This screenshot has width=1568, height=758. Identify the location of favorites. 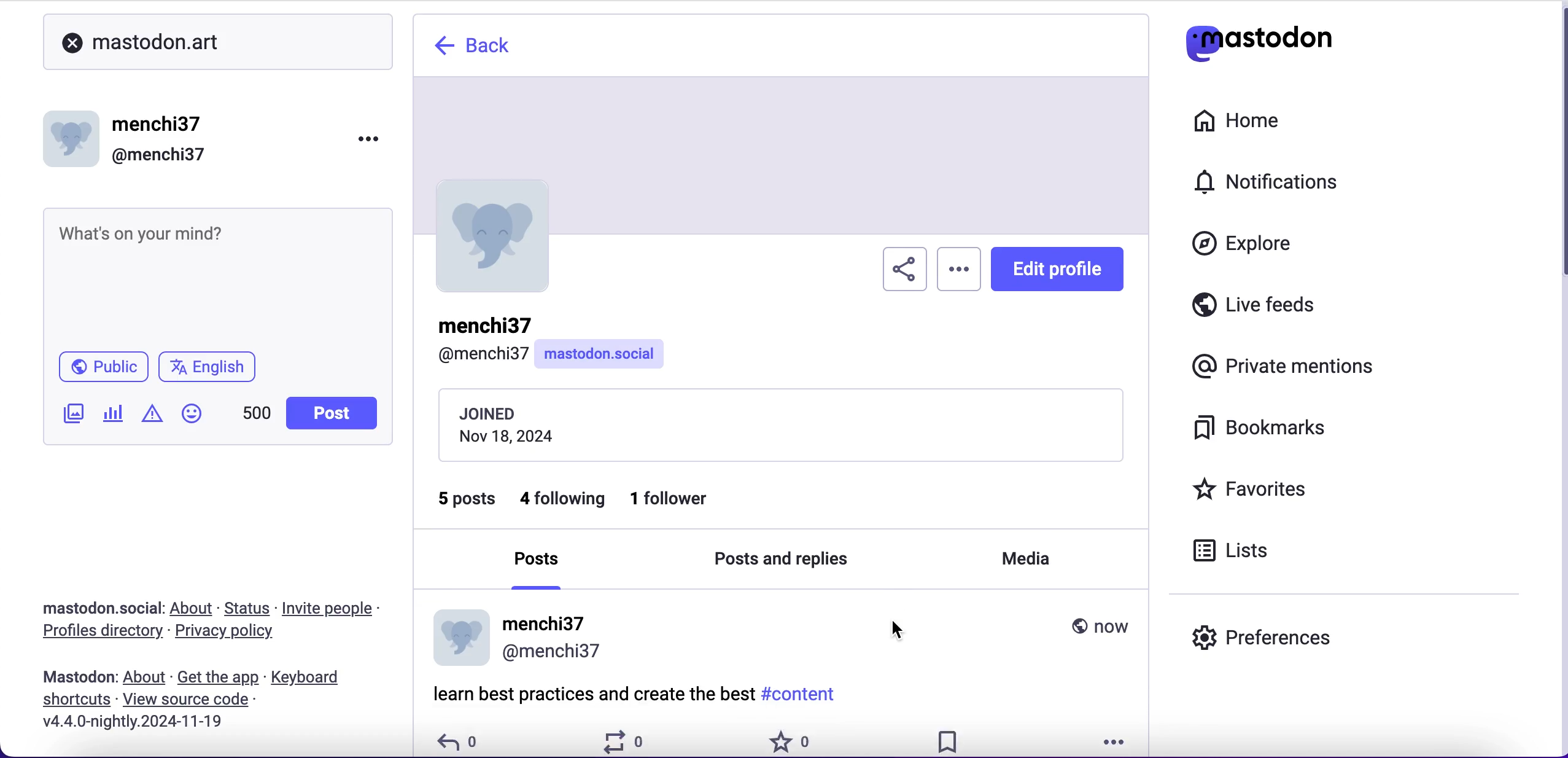
(1282, 488).